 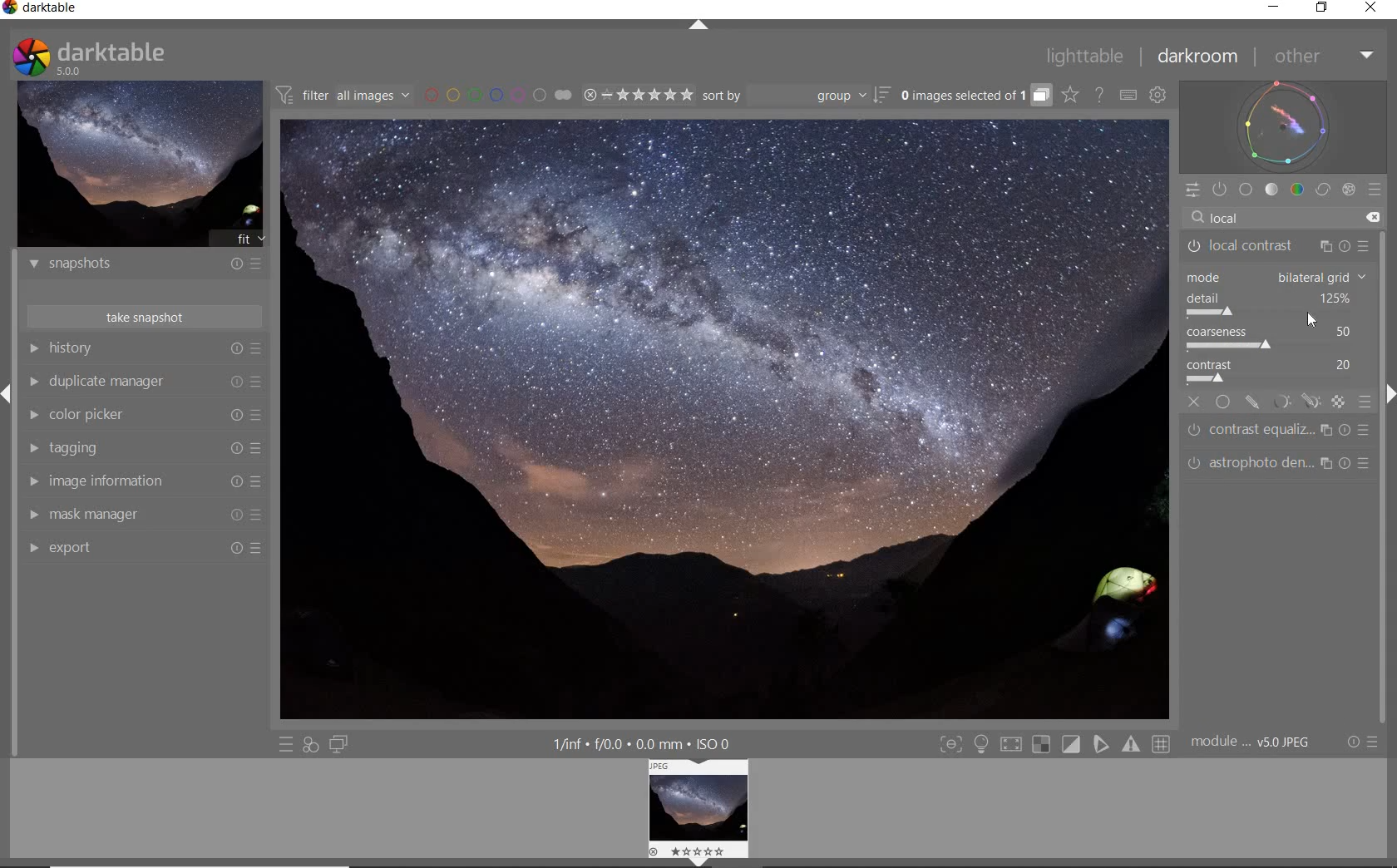 I want to click on Presets and preferences, so click(x=259, y=378).